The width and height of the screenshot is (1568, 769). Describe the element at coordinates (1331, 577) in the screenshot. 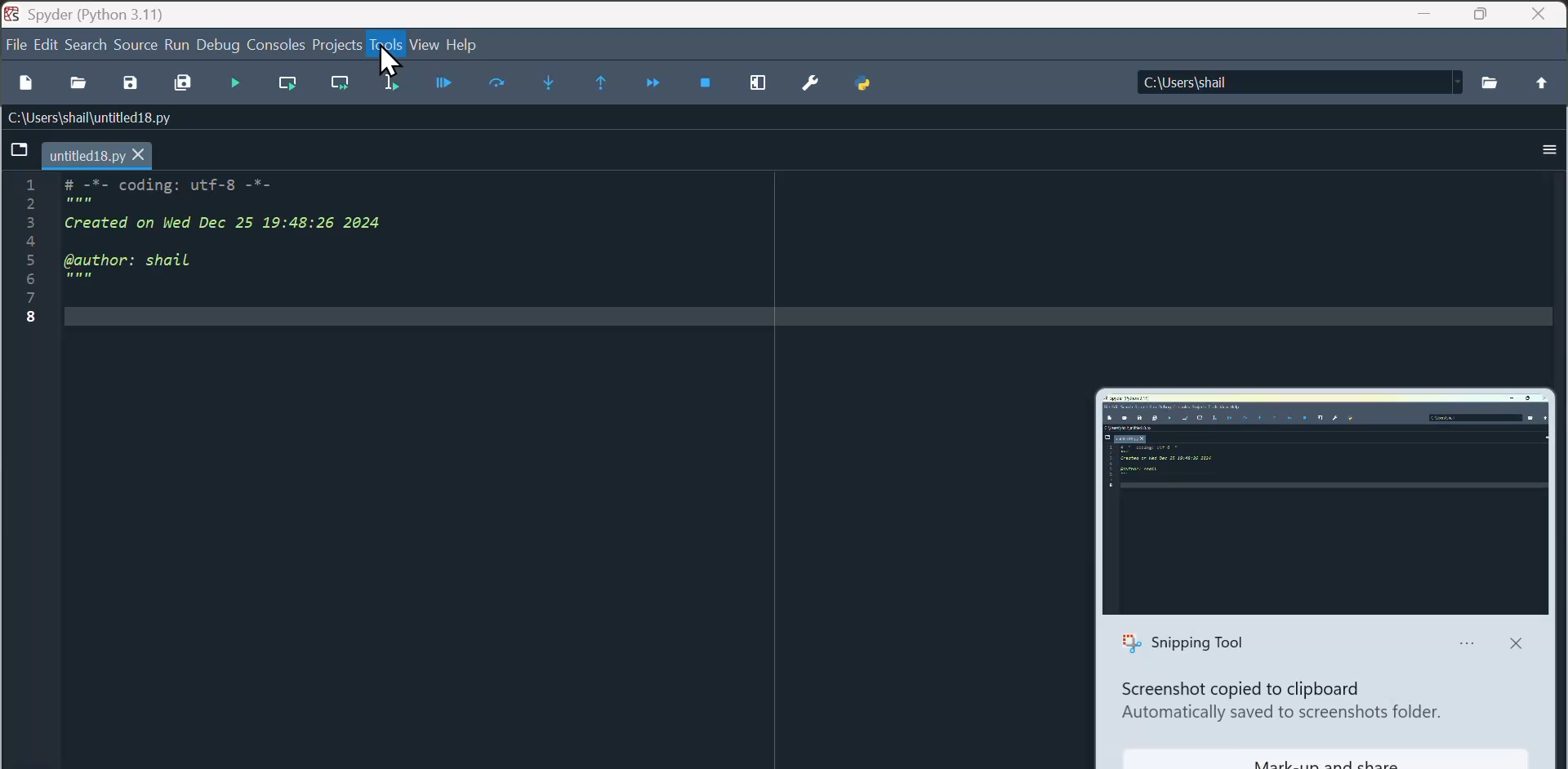

I see `Snipping tool` at that location.